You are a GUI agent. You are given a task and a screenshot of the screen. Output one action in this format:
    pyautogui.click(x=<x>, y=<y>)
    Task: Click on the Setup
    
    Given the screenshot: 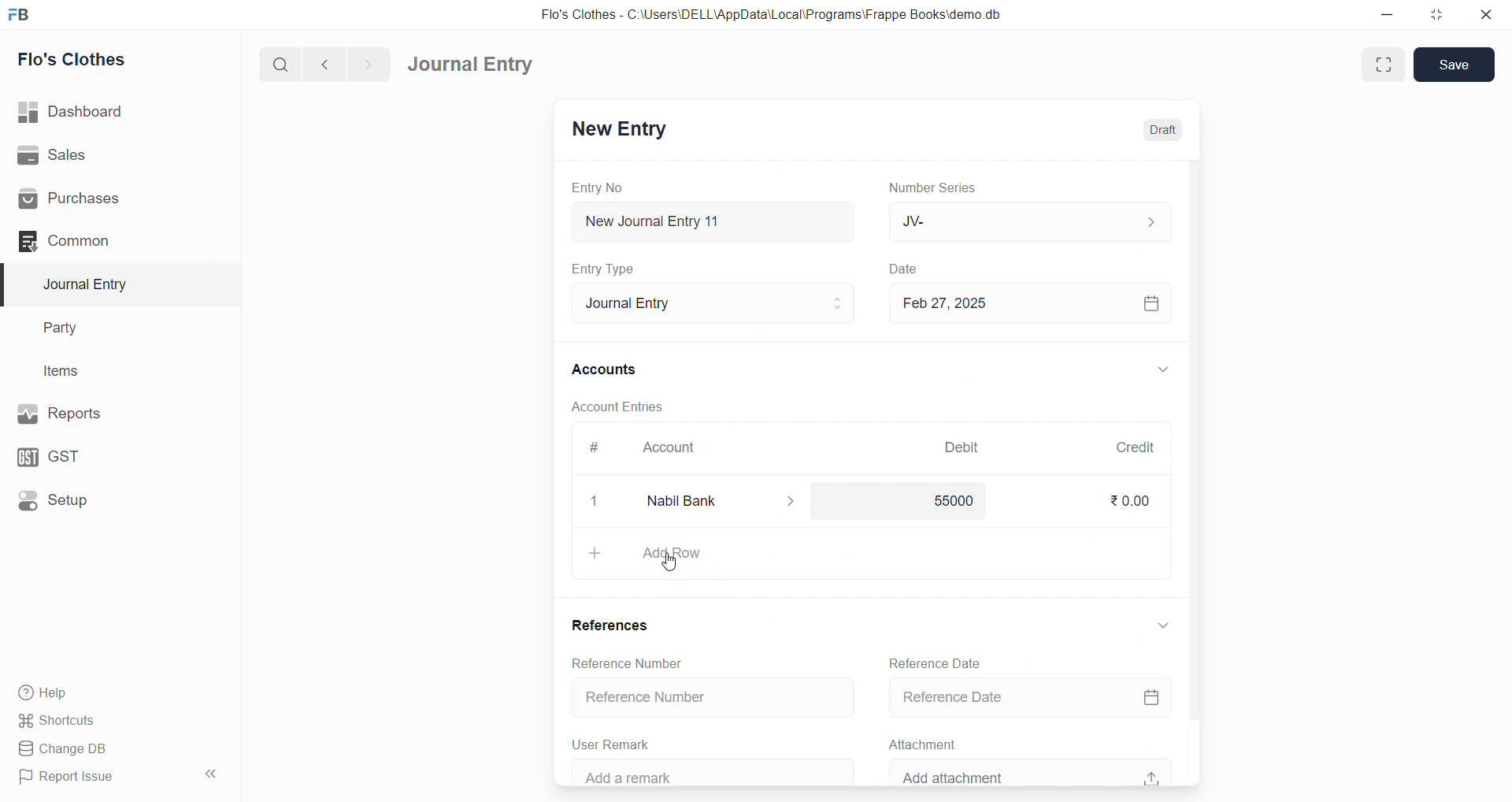 What is the action you would take?
    pyautogui.click(x=91, y=503)
    